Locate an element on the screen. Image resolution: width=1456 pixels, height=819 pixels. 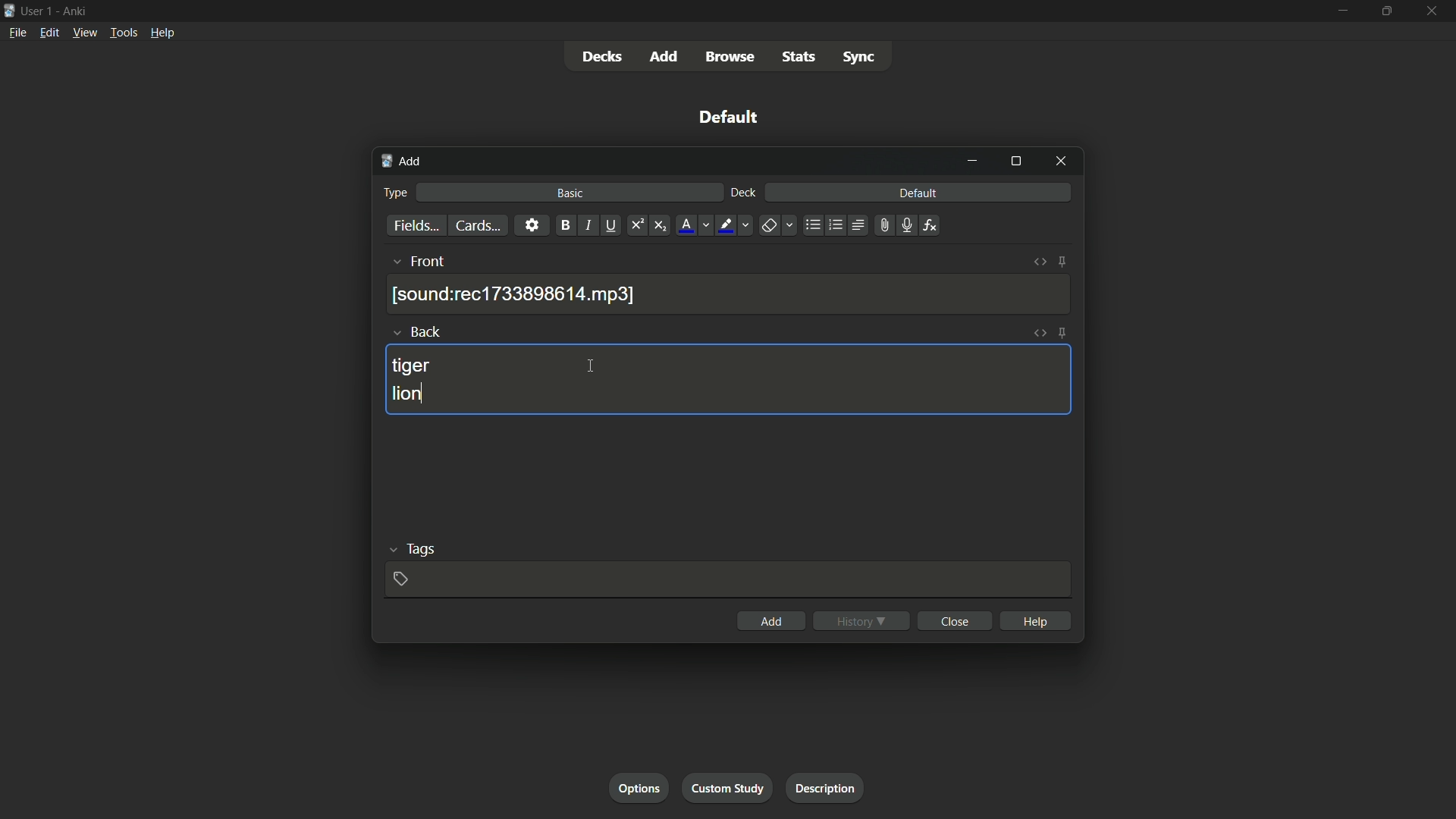
ordered list is located at coordinates (834, 225).